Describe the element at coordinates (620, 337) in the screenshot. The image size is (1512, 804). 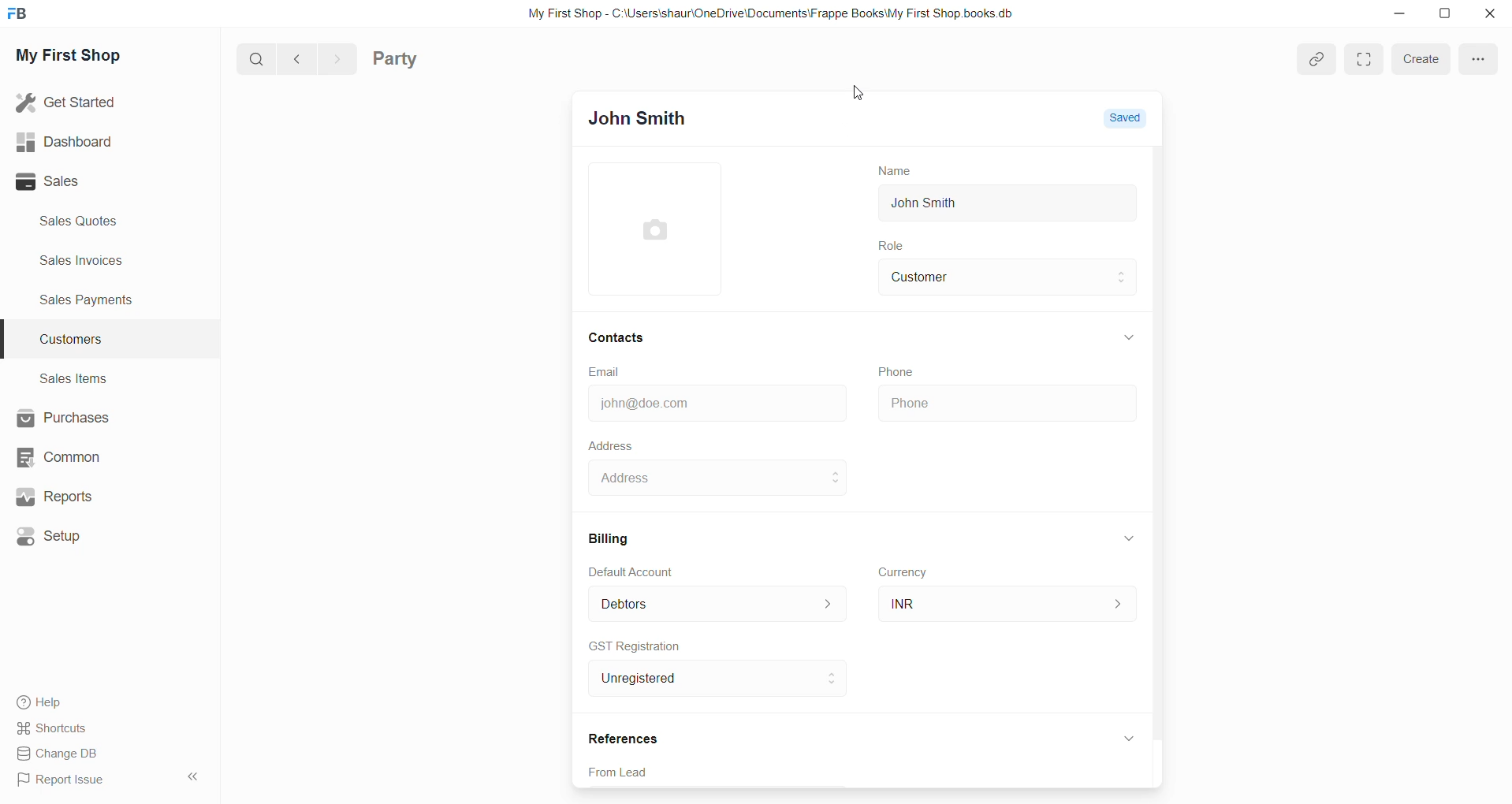
I see `Contacts` at that location.